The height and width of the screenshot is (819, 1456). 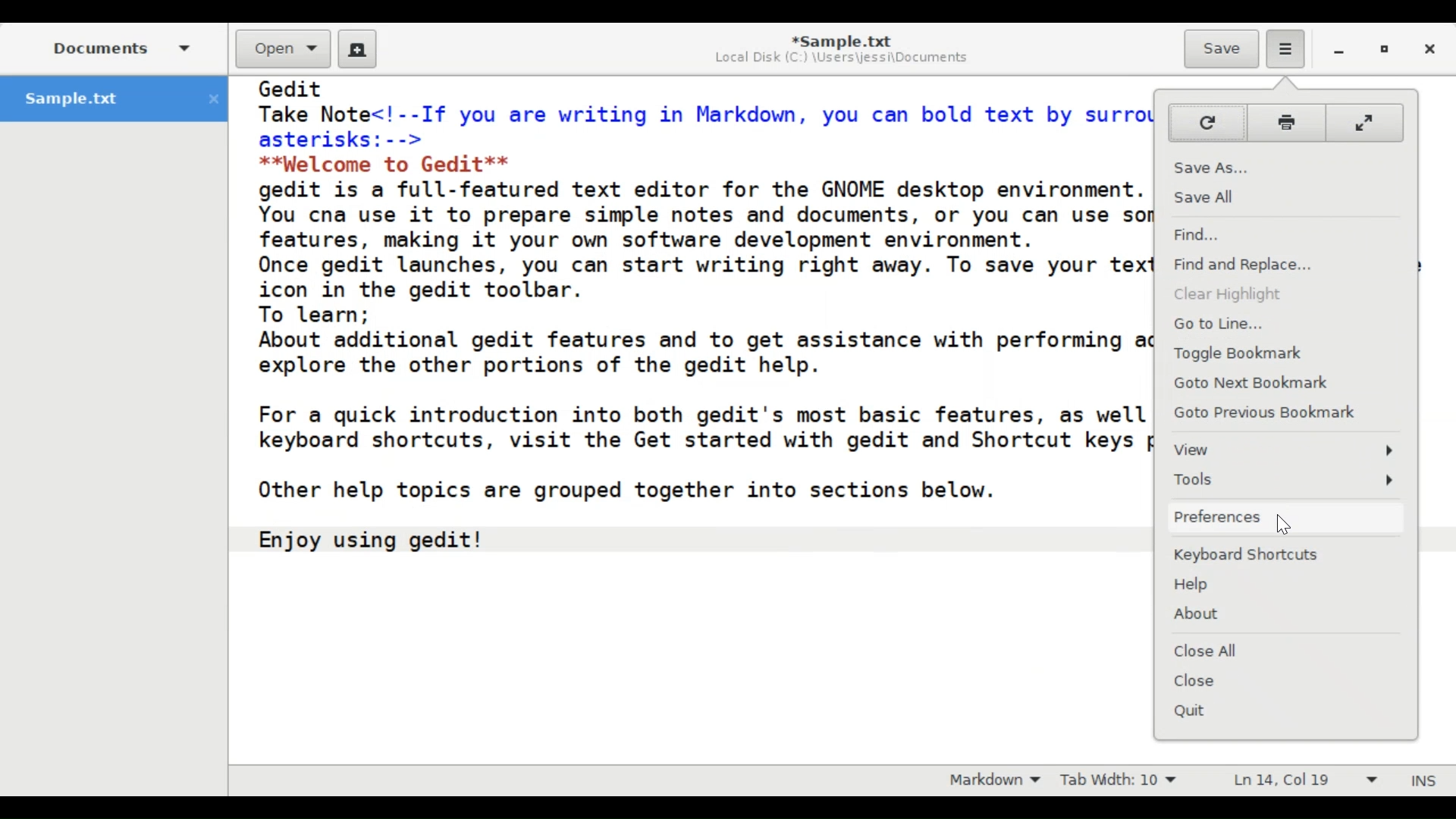 What do you see at coordinates (357, 49) in the screenshot?
I see `Create a new Document` at bounding box center [357, 49].